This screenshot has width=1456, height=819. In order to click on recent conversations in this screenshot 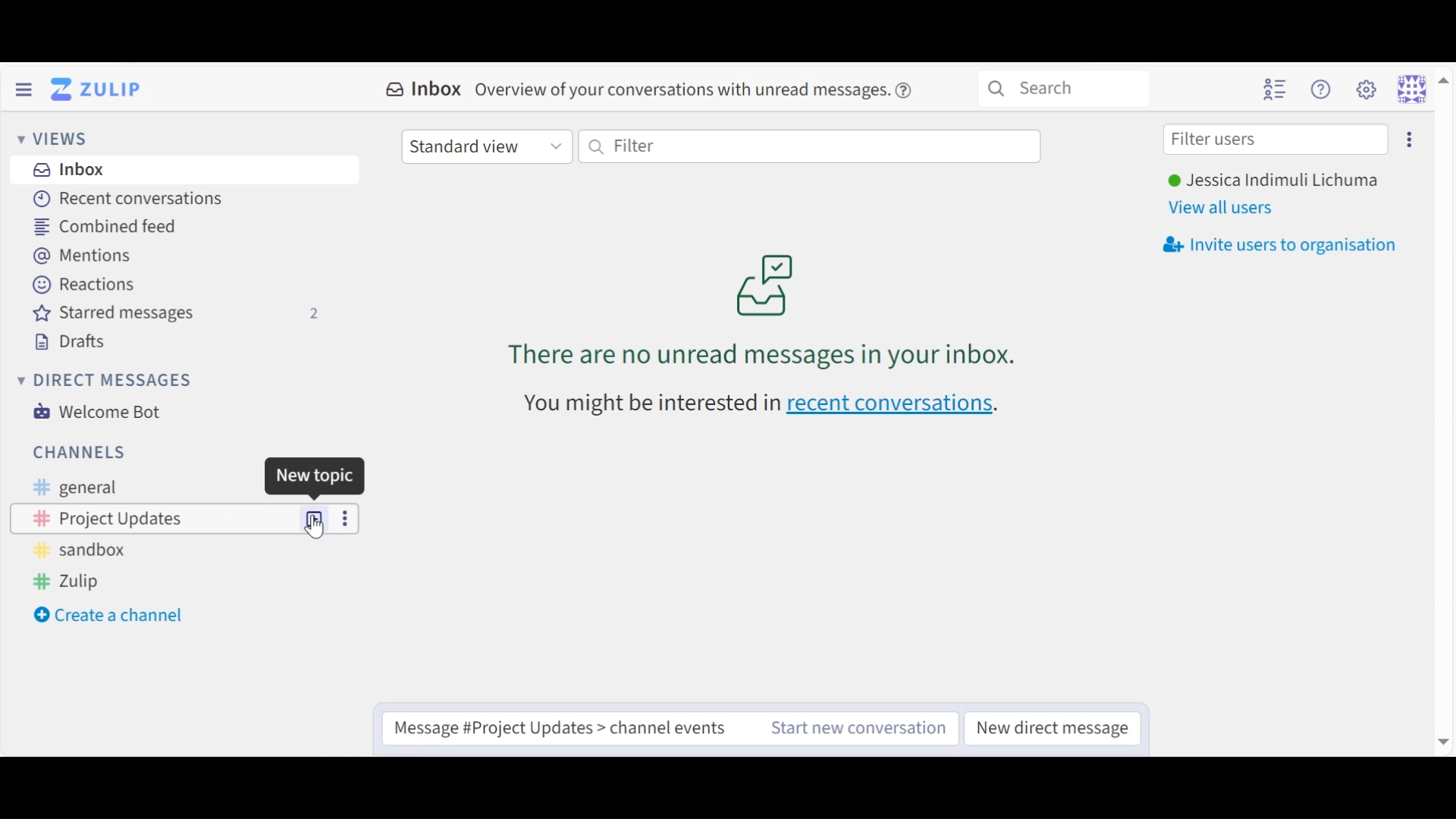, I will do `click(893, 405)`.